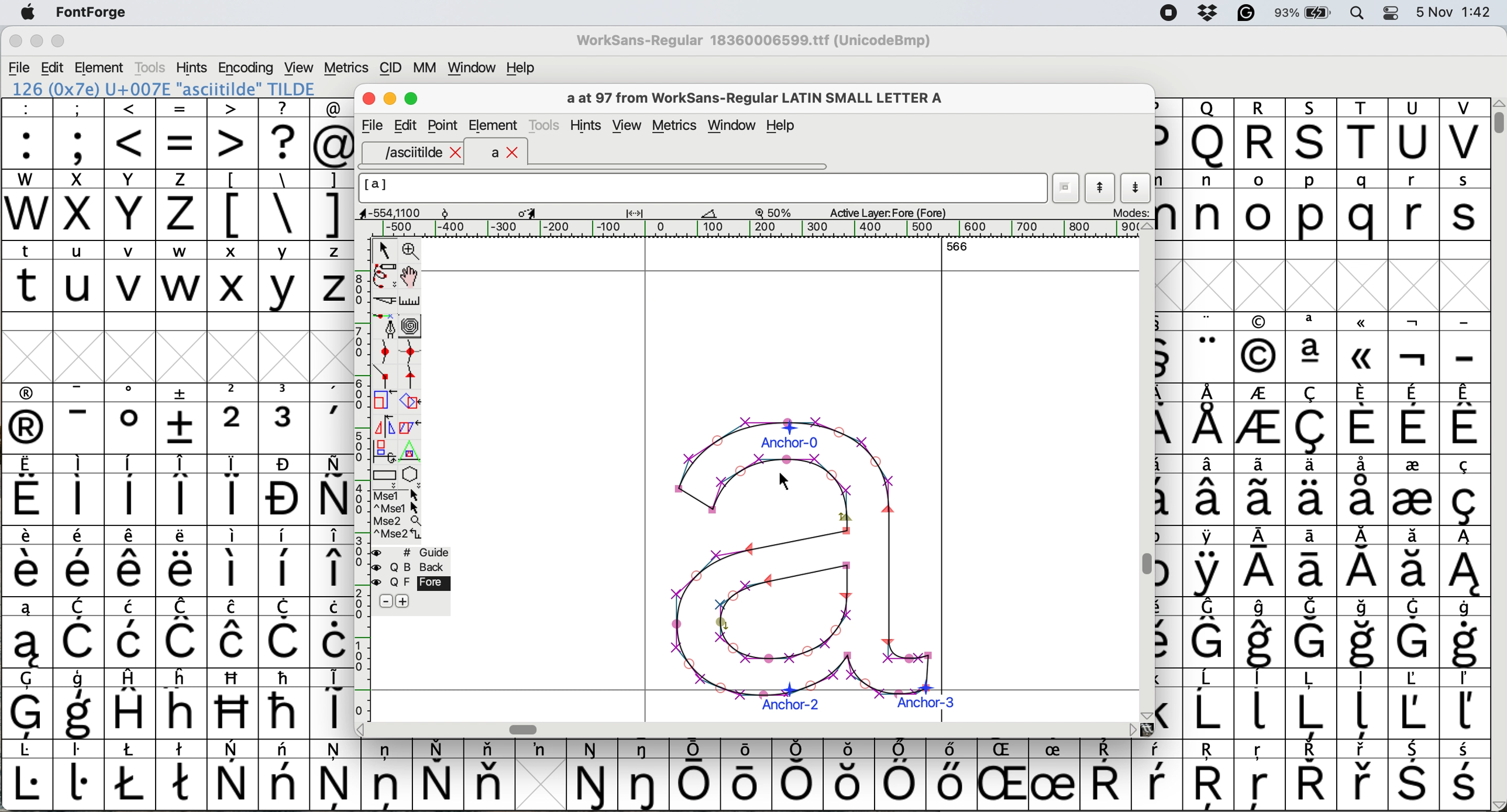 Image resolution: width=1507 pixels, height=812 pixels. What do you see at coordinates (546, 212) in the screenshot?
I see `glyph details` at bounding box center [546, 212].